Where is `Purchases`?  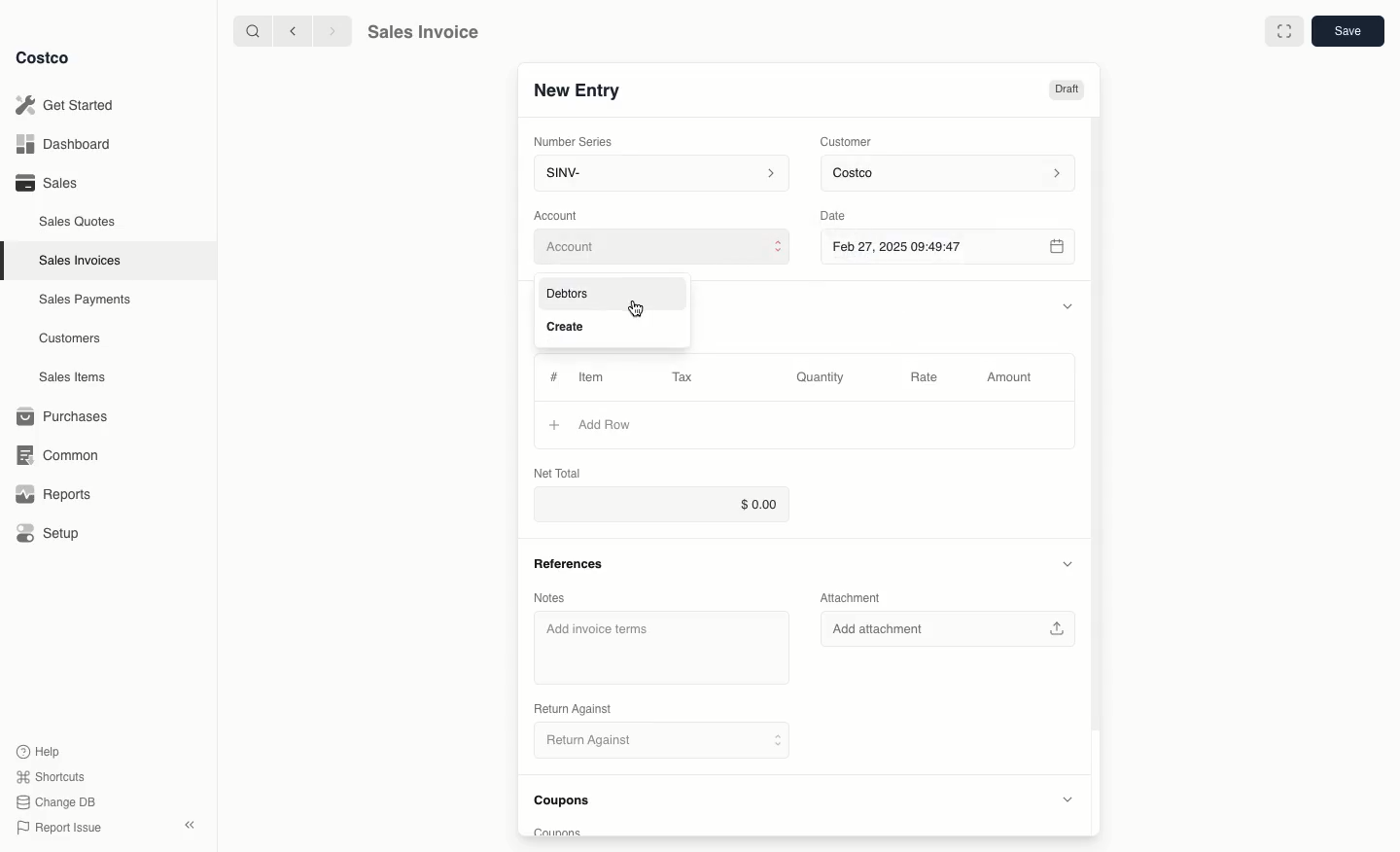
Purchases is located at coordinates (63, 416).